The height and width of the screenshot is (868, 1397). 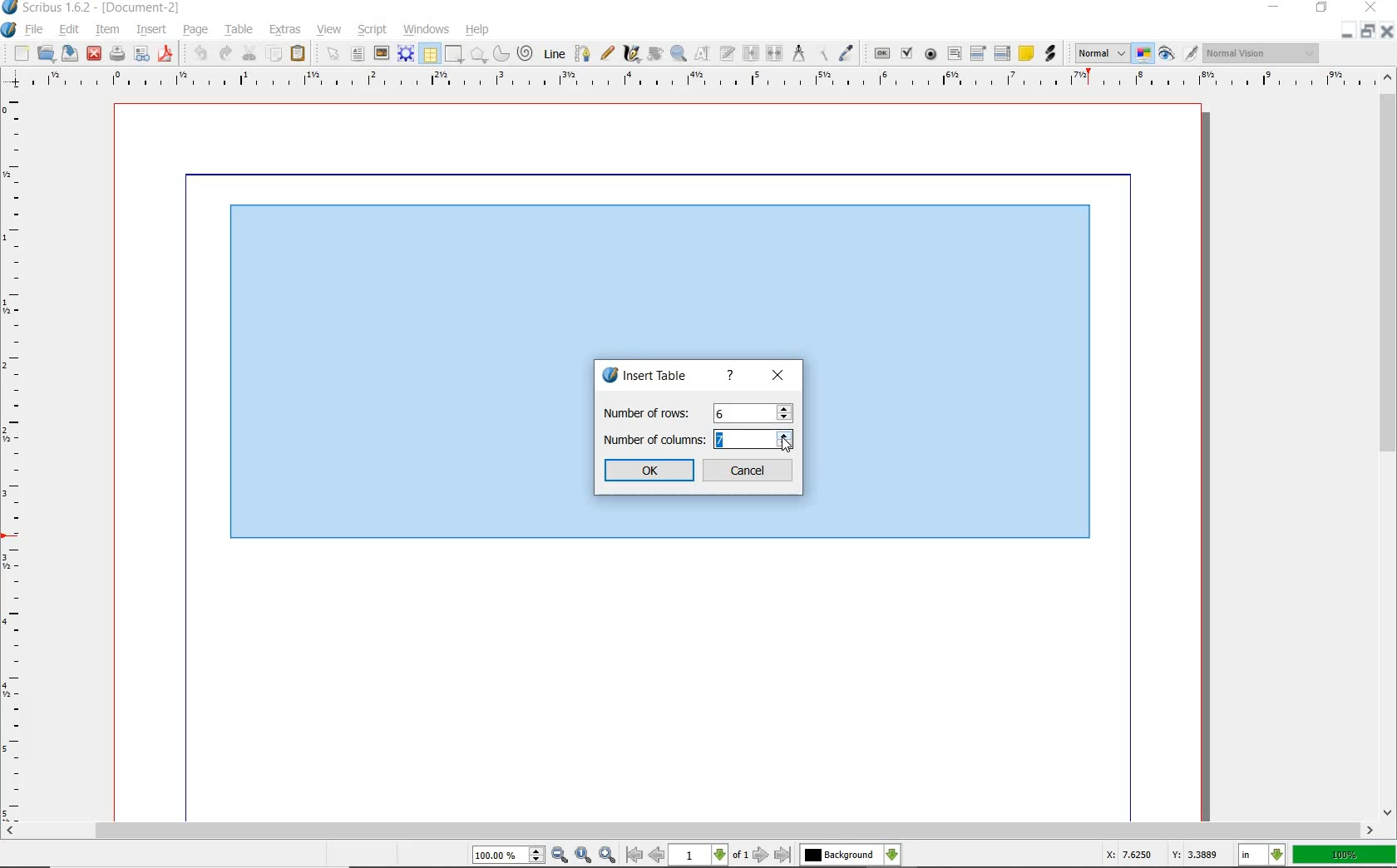 What do you see at coordinates (299, 55) in the screenshot?
I see `paste` at bounding box center [299, 55].